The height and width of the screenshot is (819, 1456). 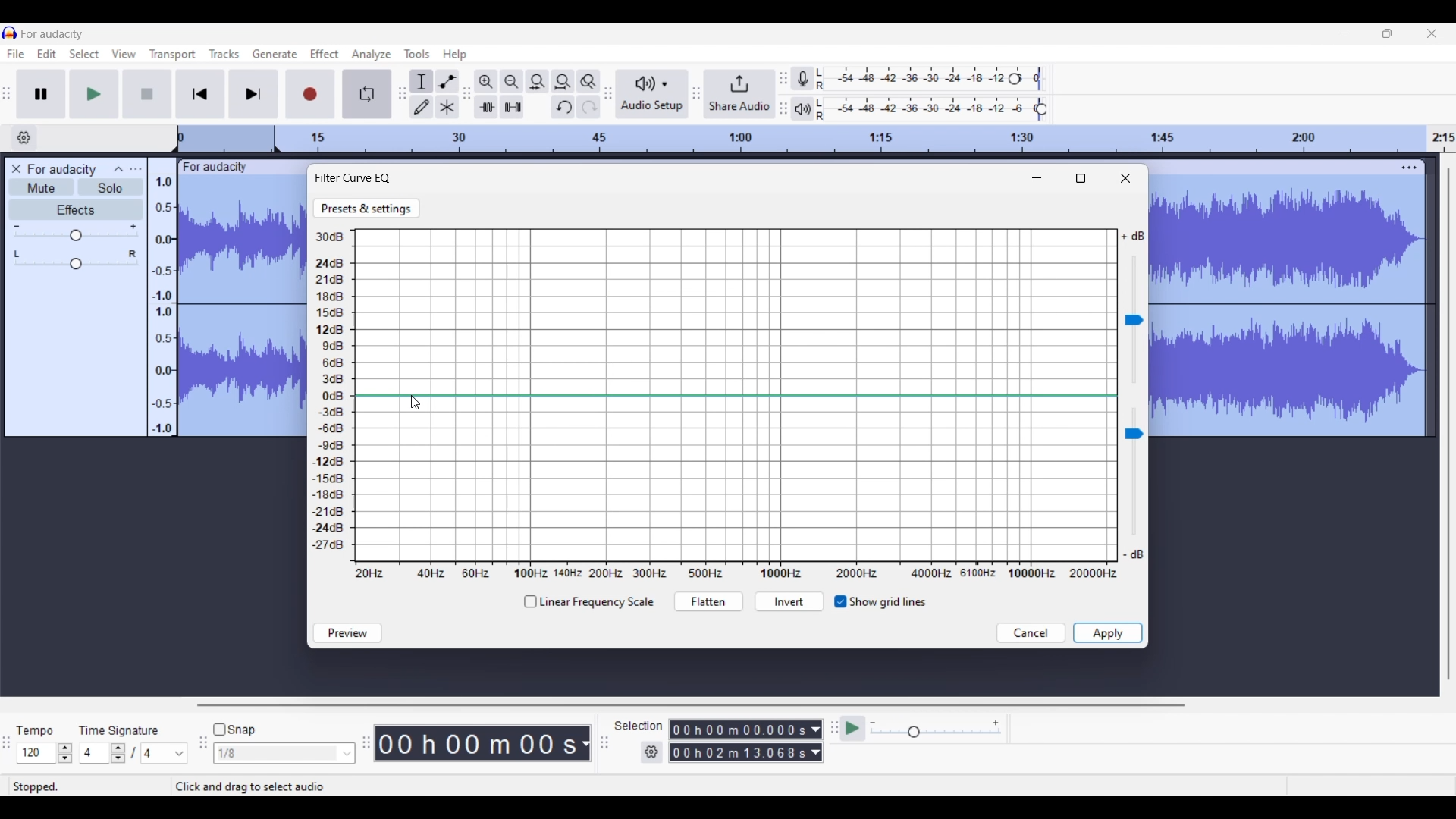 I want to click on Edit menu, so click(x=47, y=55).